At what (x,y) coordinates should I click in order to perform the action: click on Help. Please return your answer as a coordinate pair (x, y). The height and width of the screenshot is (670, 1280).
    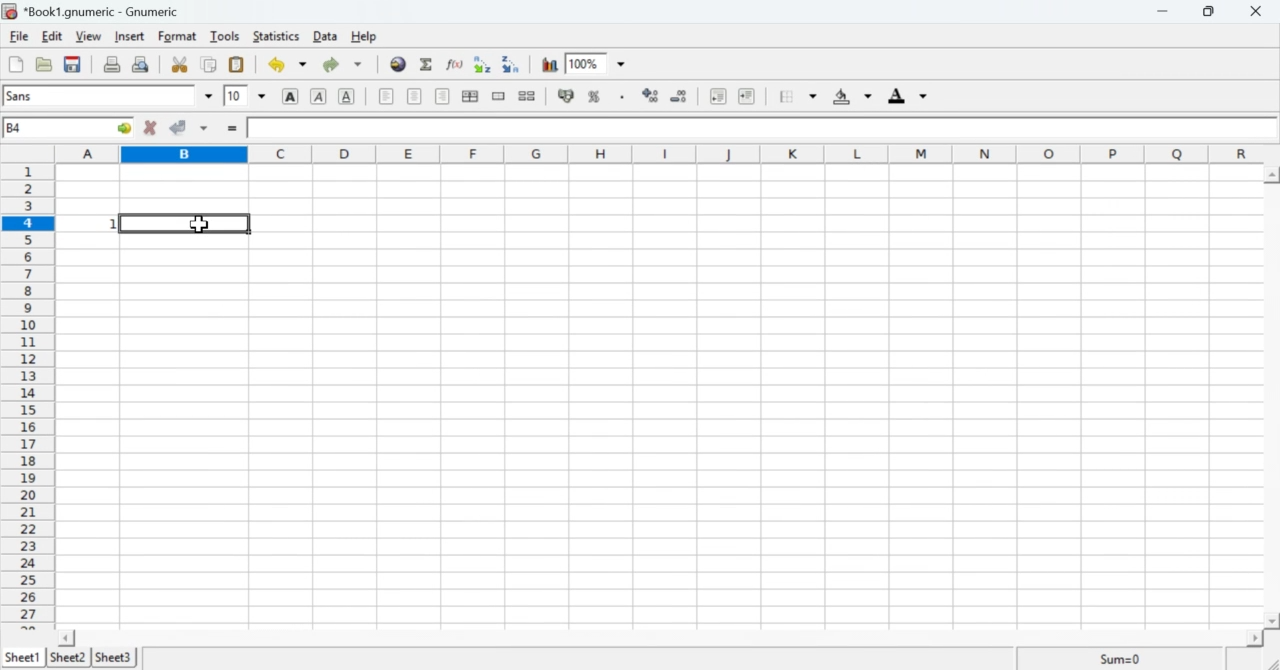
    Looking at the image, I should click on (370, 37).